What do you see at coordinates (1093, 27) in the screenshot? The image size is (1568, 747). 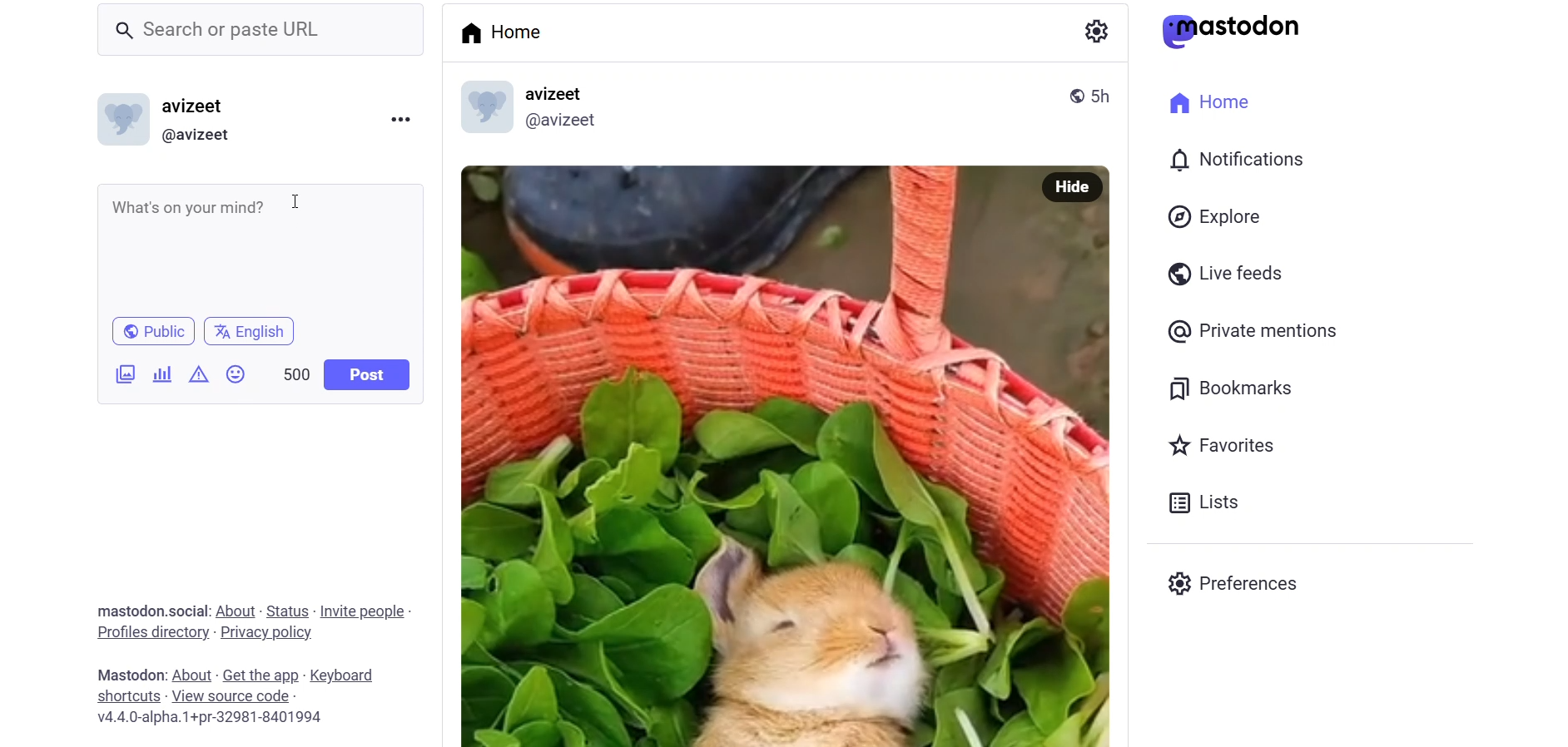 I see `setting` at bounding box center [1093, 27].